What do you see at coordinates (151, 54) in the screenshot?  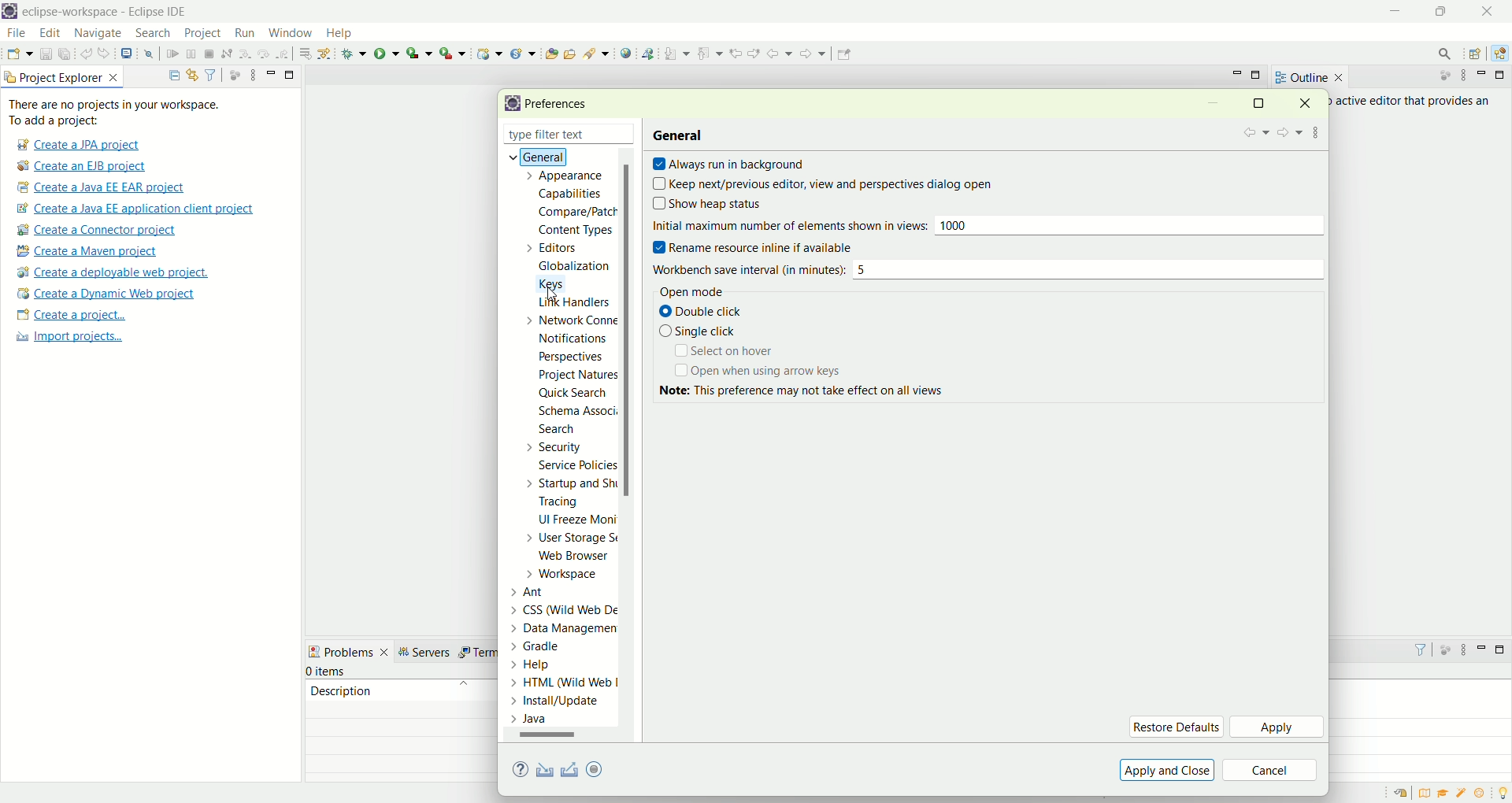 I see `skip all breakpoints` at bounding box center [151, 54].